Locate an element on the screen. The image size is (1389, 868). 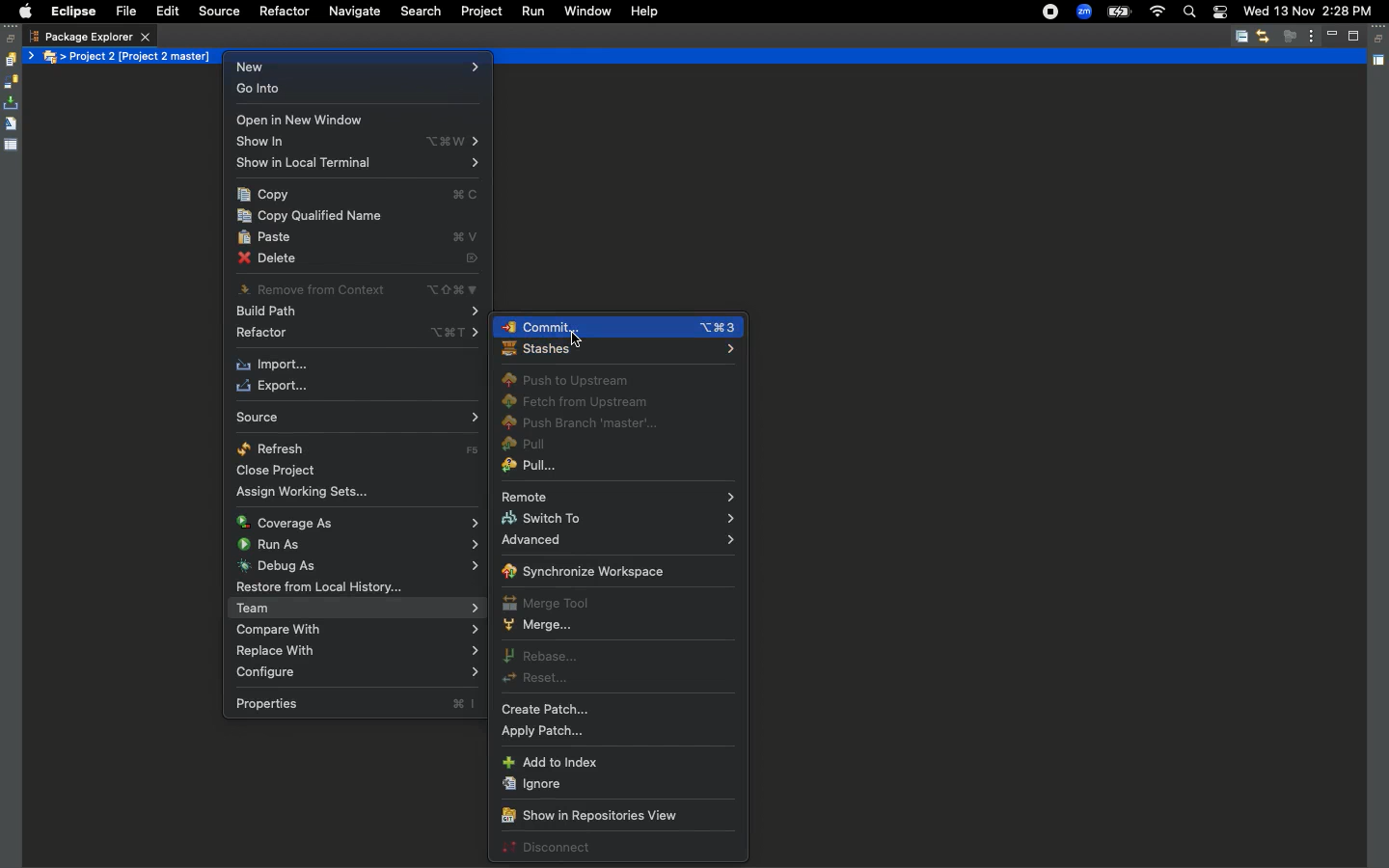
Edit is located at coordinates (167, 13).